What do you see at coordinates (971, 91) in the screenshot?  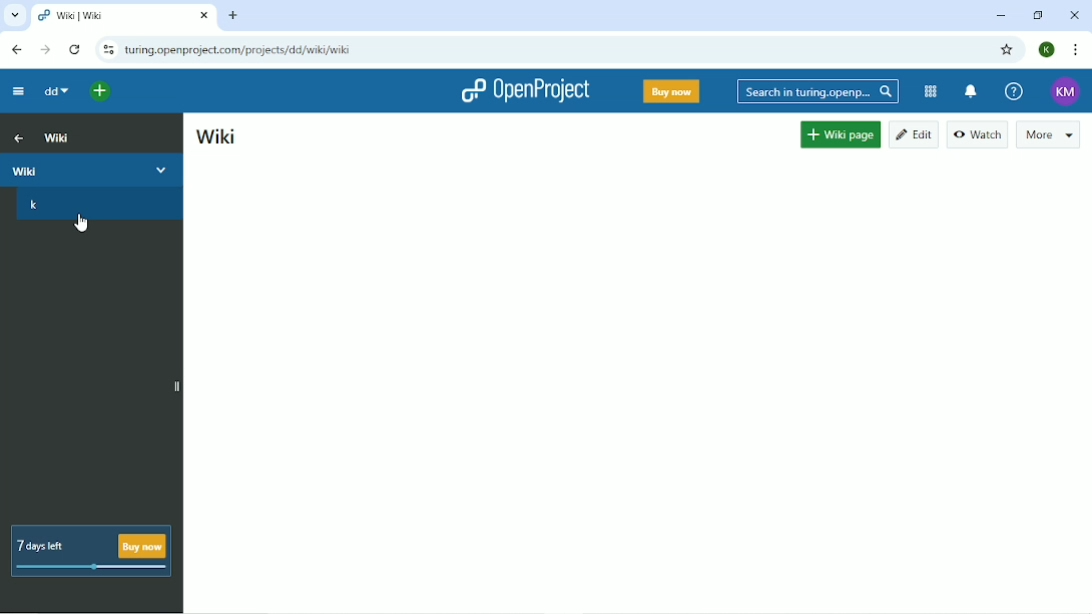 I see `To notification center` at bounding box center [971, 91].